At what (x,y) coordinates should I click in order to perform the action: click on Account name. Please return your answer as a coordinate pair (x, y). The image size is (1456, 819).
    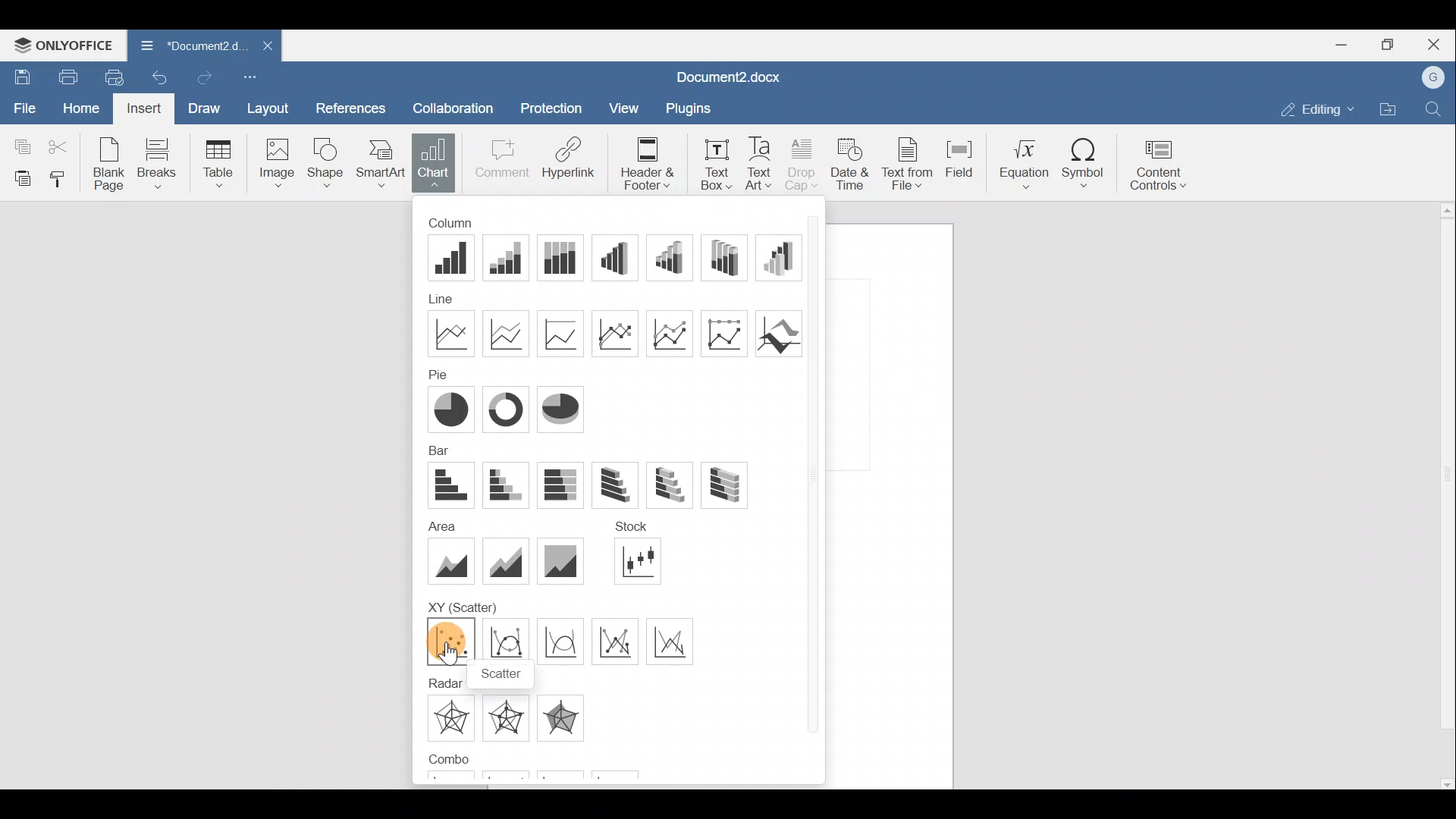
    Looking at the image, I should click on (1435, 77).